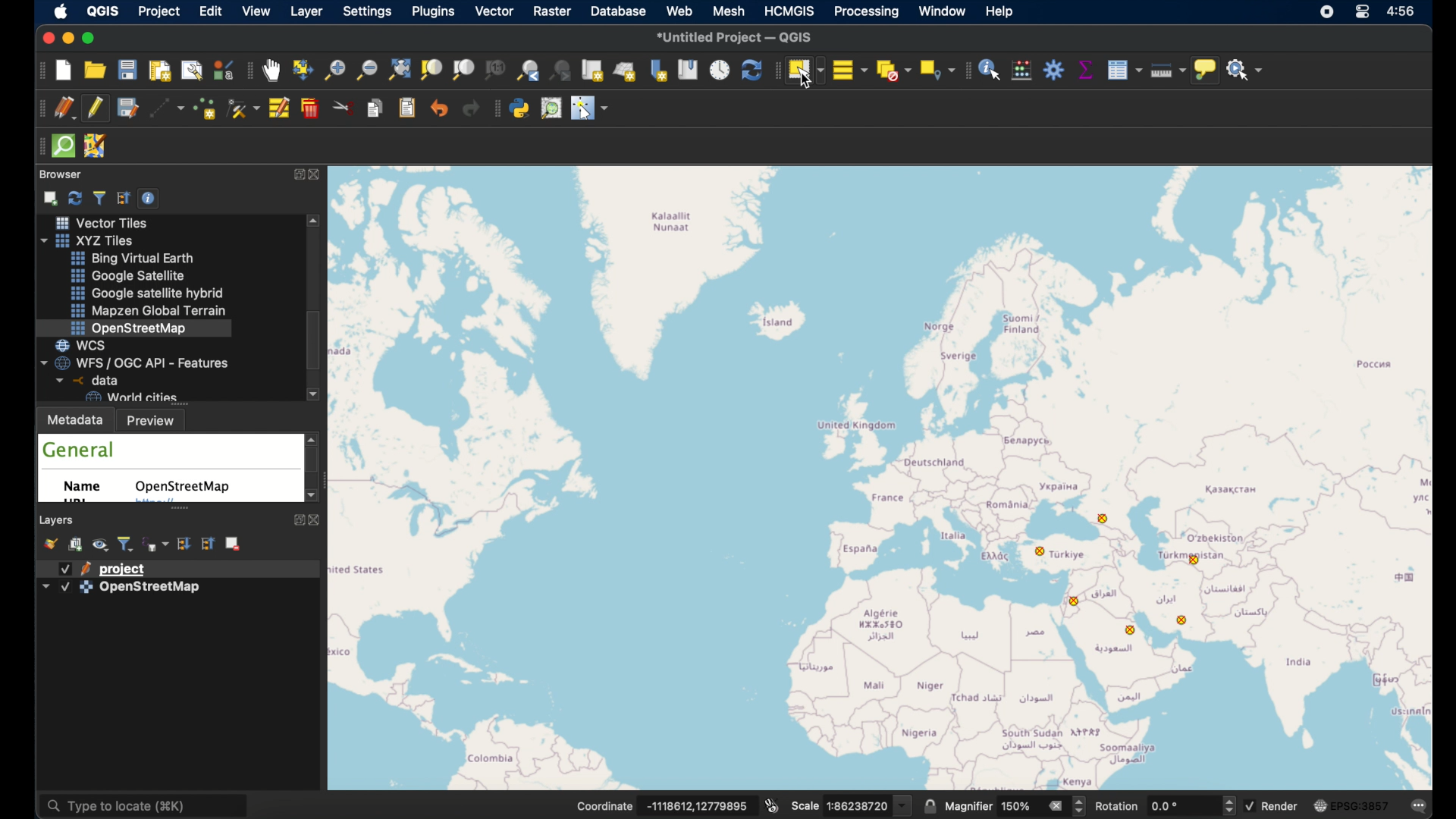 This screenshot has height=819, width=1456. Describe the element at coordinates (39, 108) in the screenshot. I see `digitizing toolbar` at that location.